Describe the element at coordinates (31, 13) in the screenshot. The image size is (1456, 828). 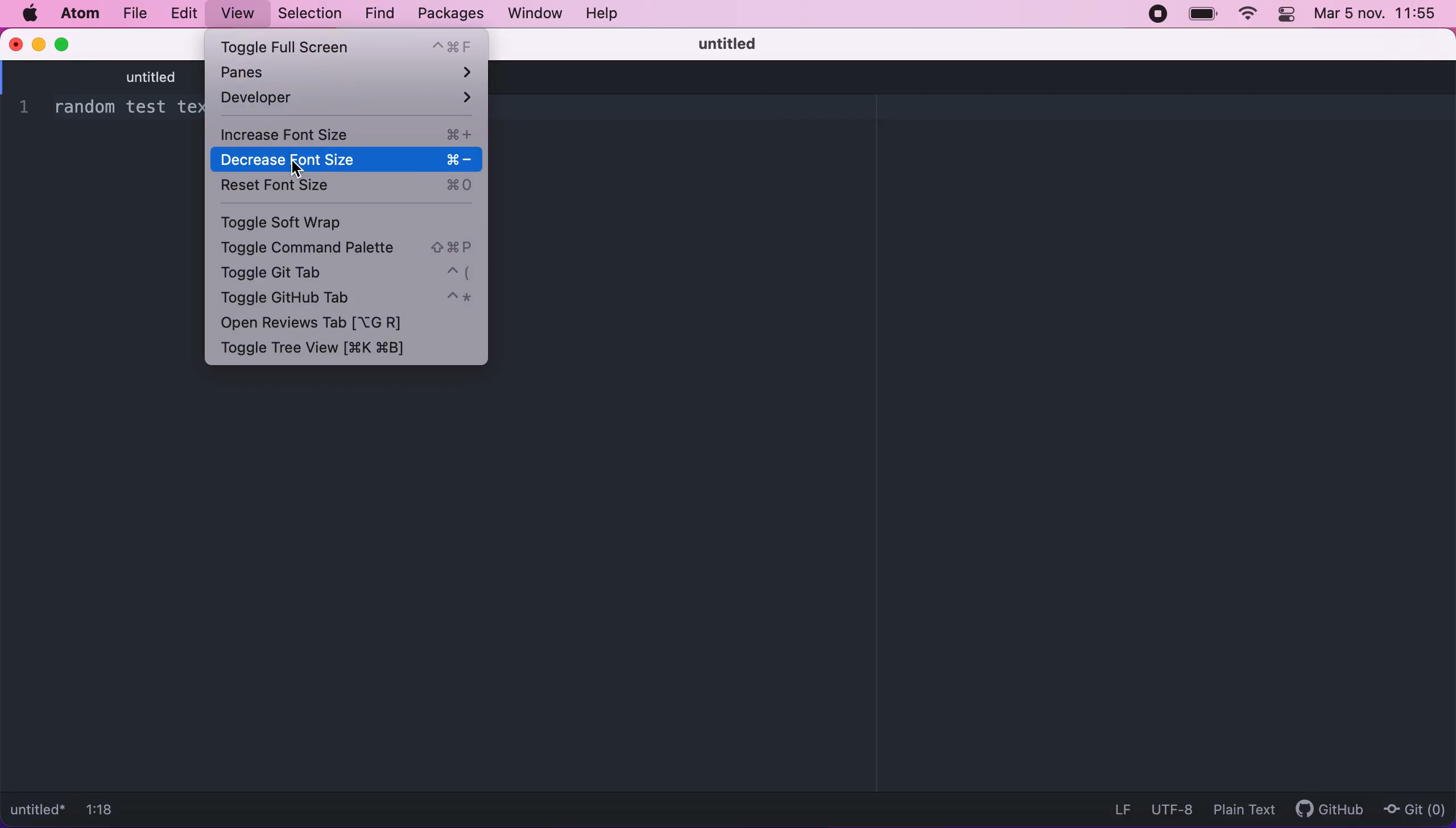
I see `mac logo` at that location.